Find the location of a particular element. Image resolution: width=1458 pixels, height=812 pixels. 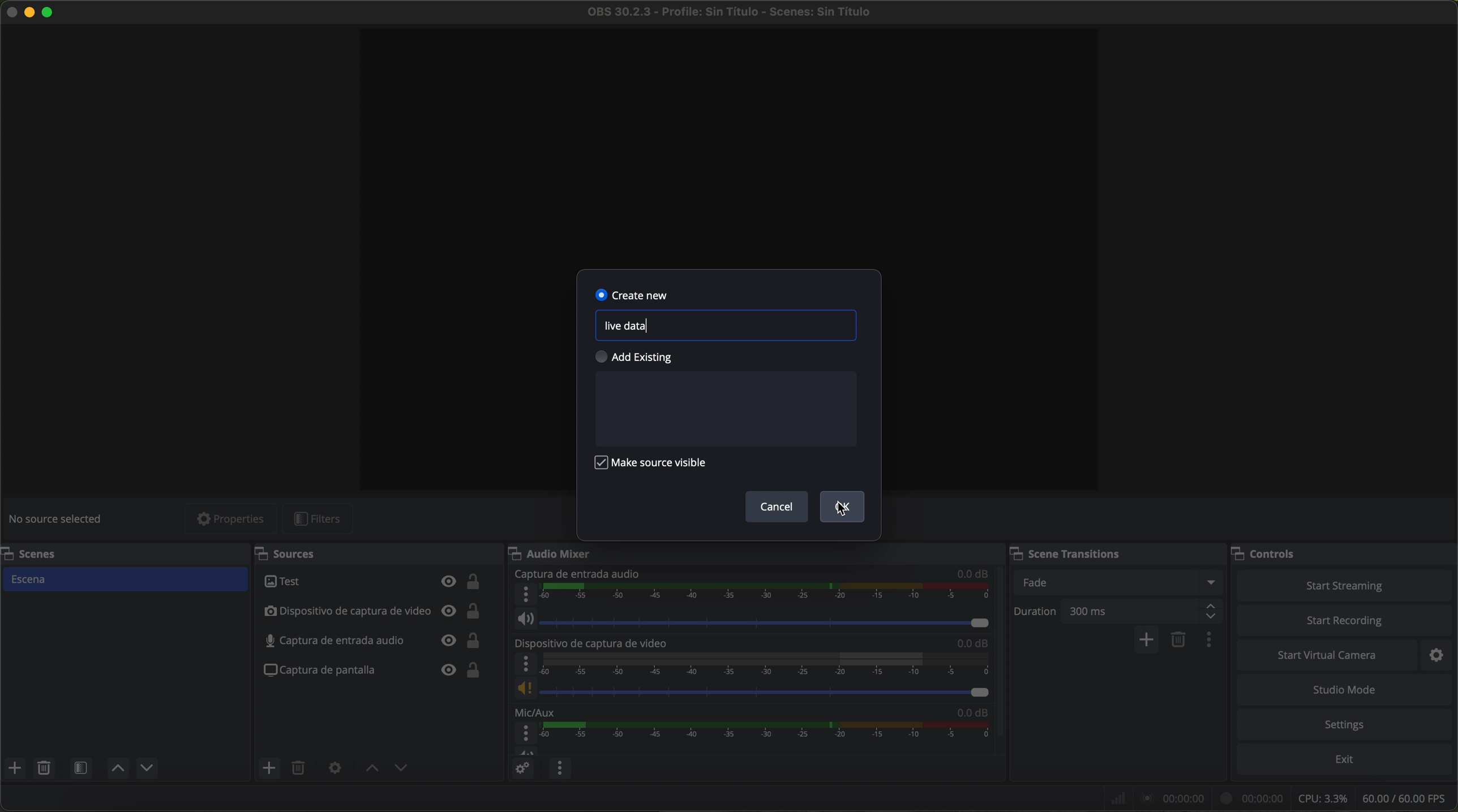

timeline is located at coordinates (767, 595).